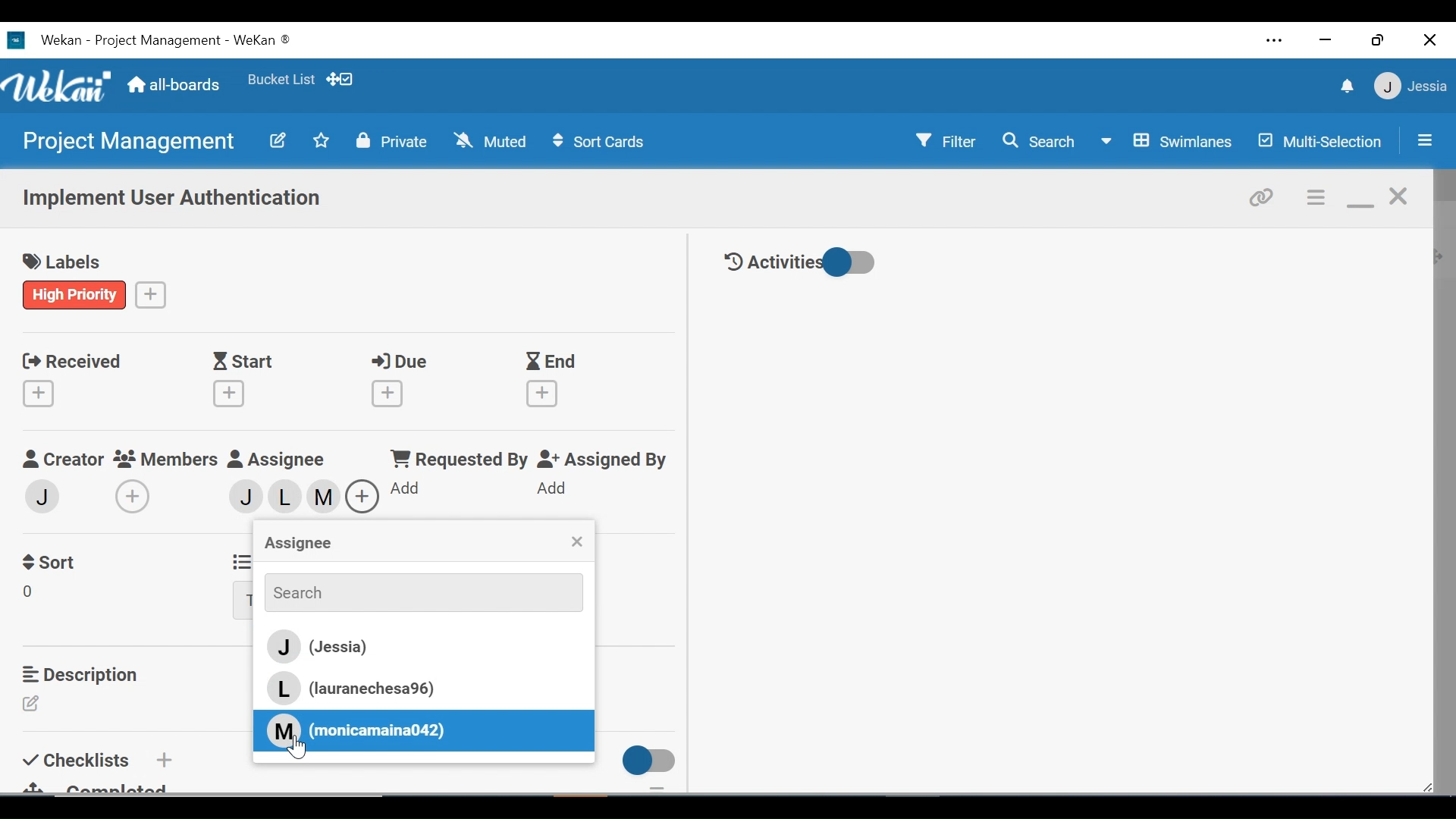 This screenshot has width=1456, height=819. What do you see at coordinates (597, 142) in the screenshot?
I see `Sort Cards` at bounding box center [597, 142].